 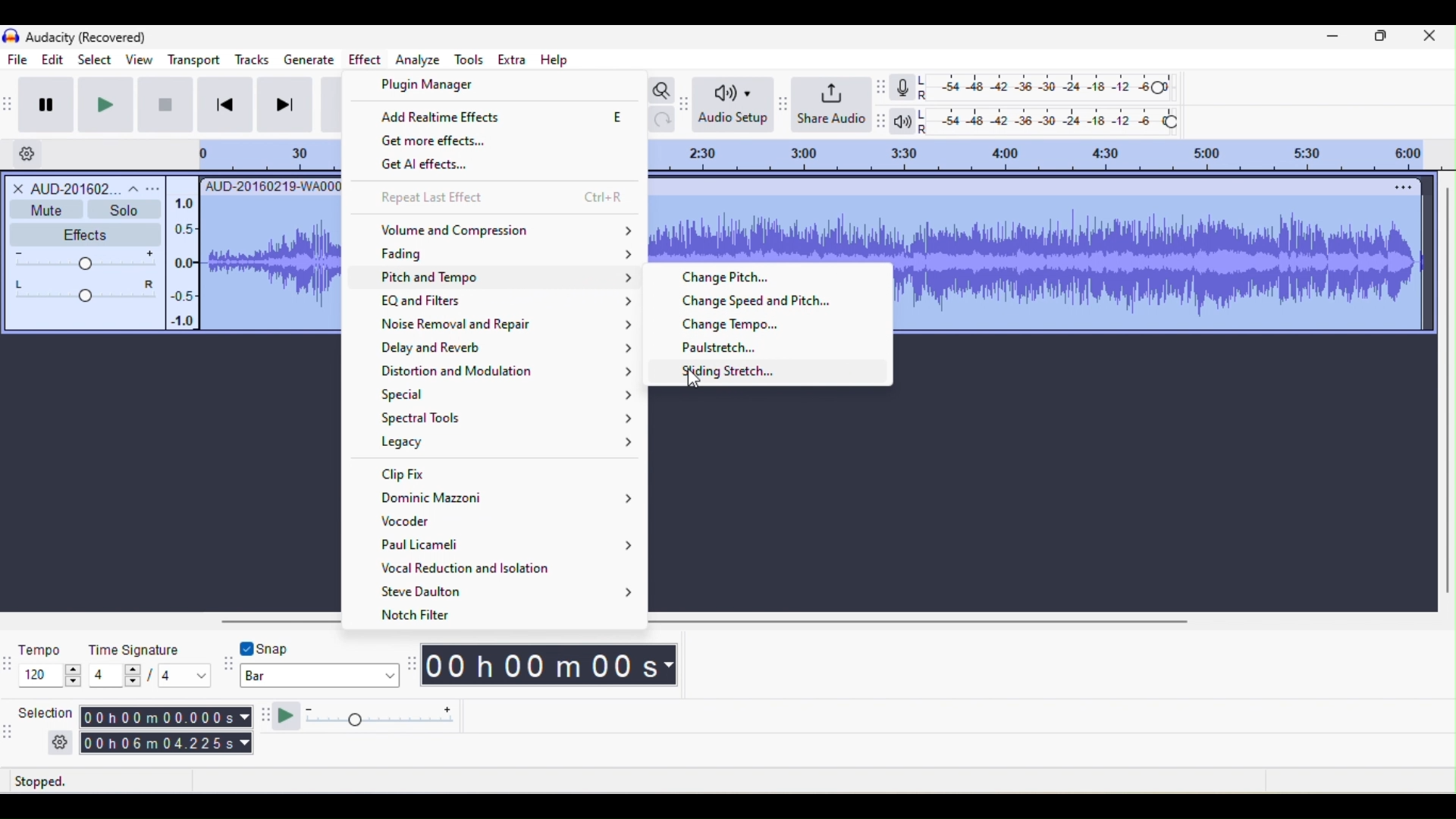 I want to click on tempo, so click(x=49, y=663).